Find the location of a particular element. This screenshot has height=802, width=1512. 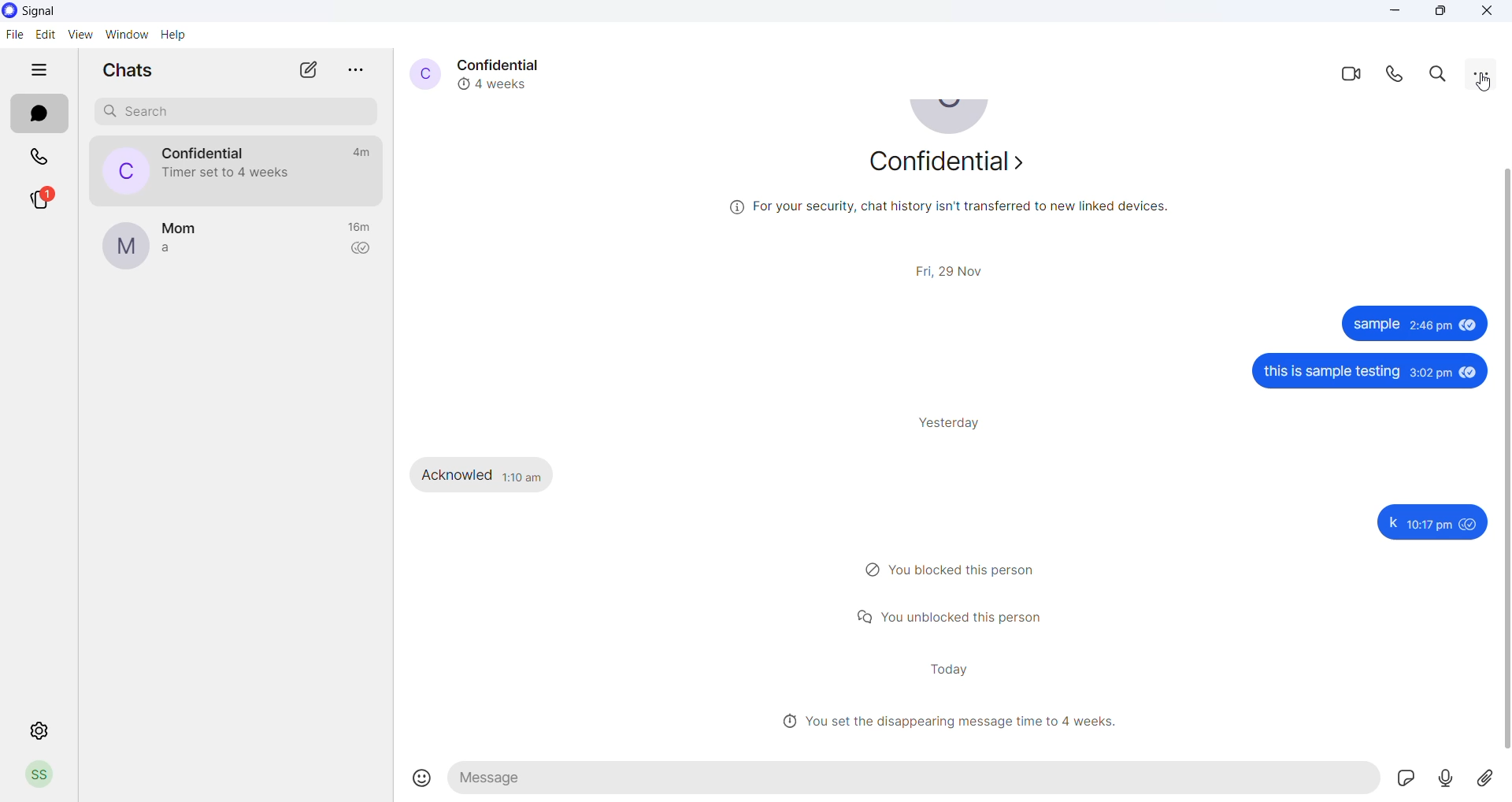

share attachment is located at coordinates (1494, 779).